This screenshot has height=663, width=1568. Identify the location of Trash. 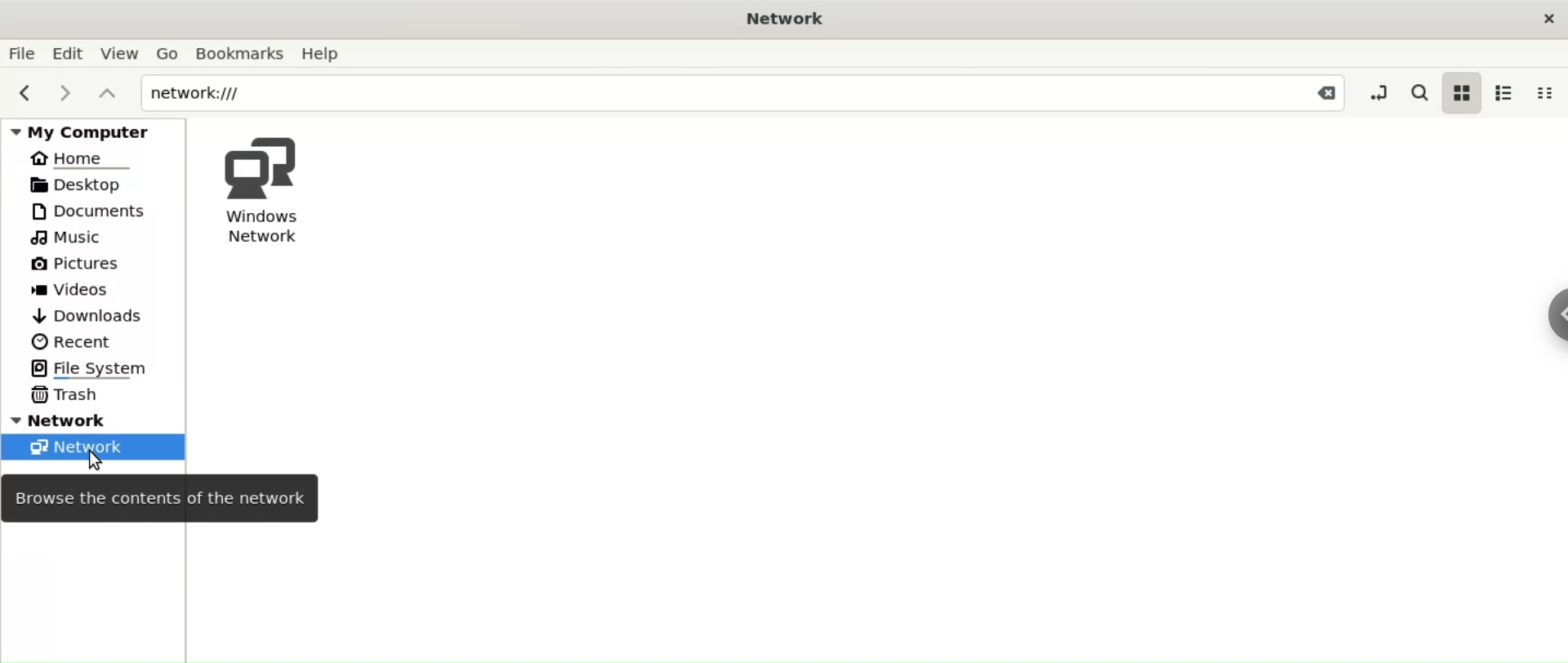
(69, 393).